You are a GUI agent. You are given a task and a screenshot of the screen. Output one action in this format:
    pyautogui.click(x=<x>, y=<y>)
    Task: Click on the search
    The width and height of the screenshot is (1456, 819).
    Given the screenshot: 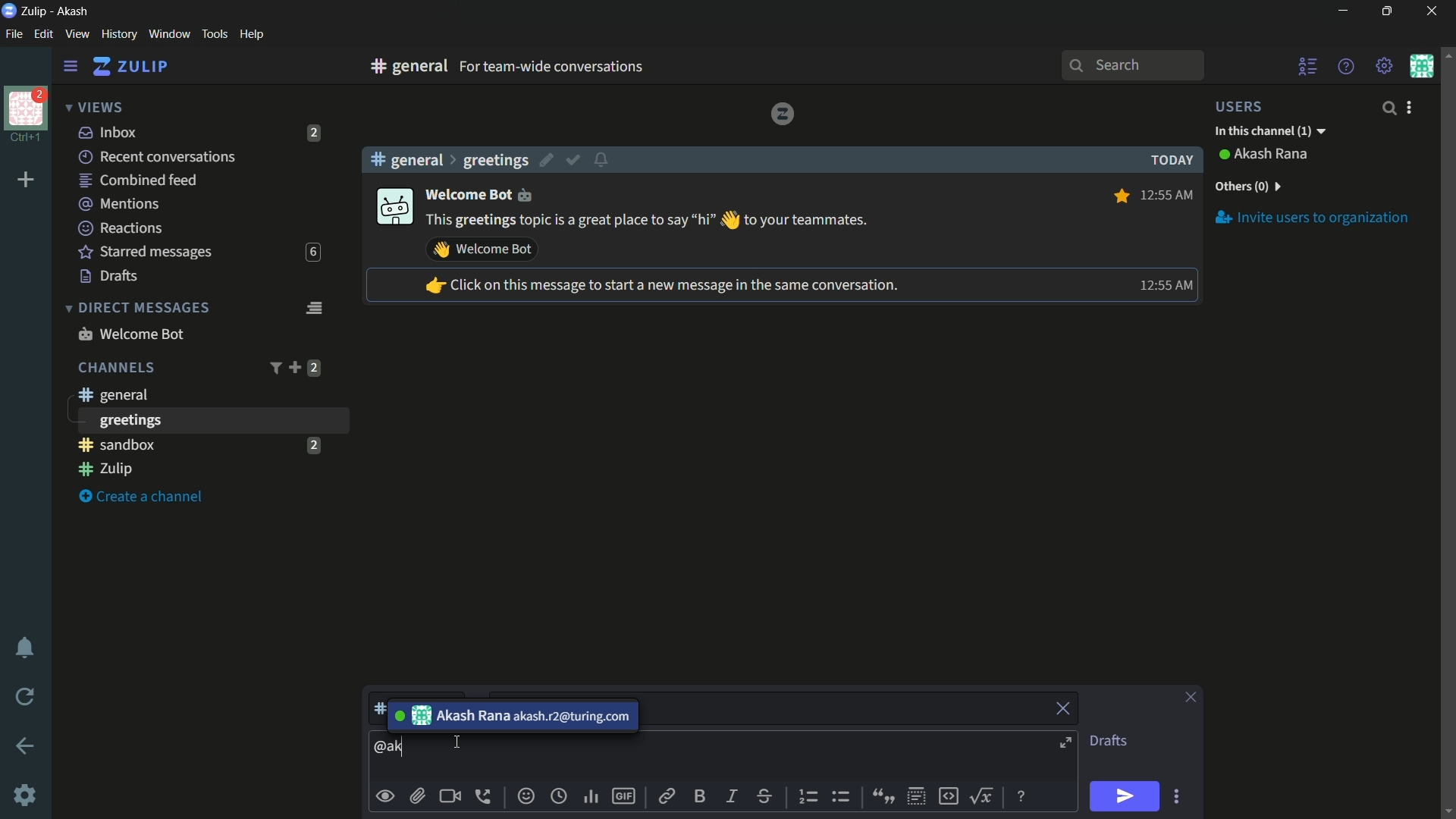 What is the action you would take?
    pyautogui.click(x=1388, y=108)
    